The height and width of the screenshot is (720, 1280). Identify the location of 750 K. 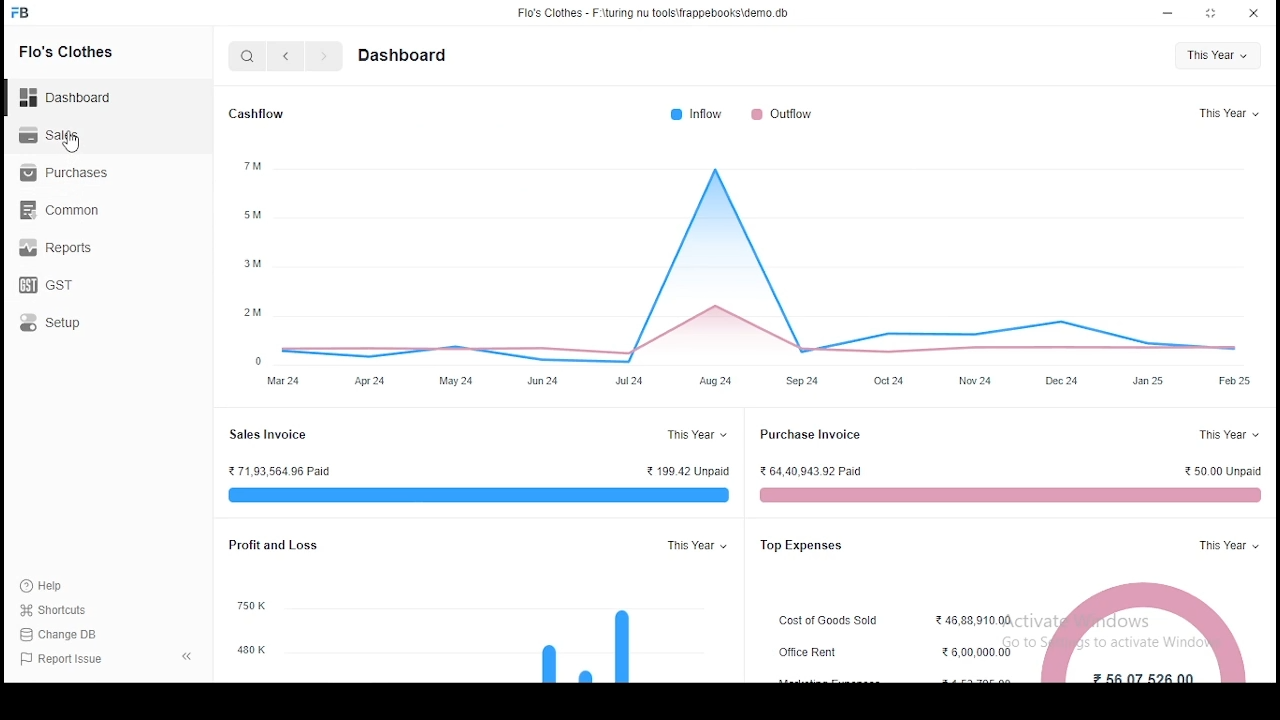
(251, 606).